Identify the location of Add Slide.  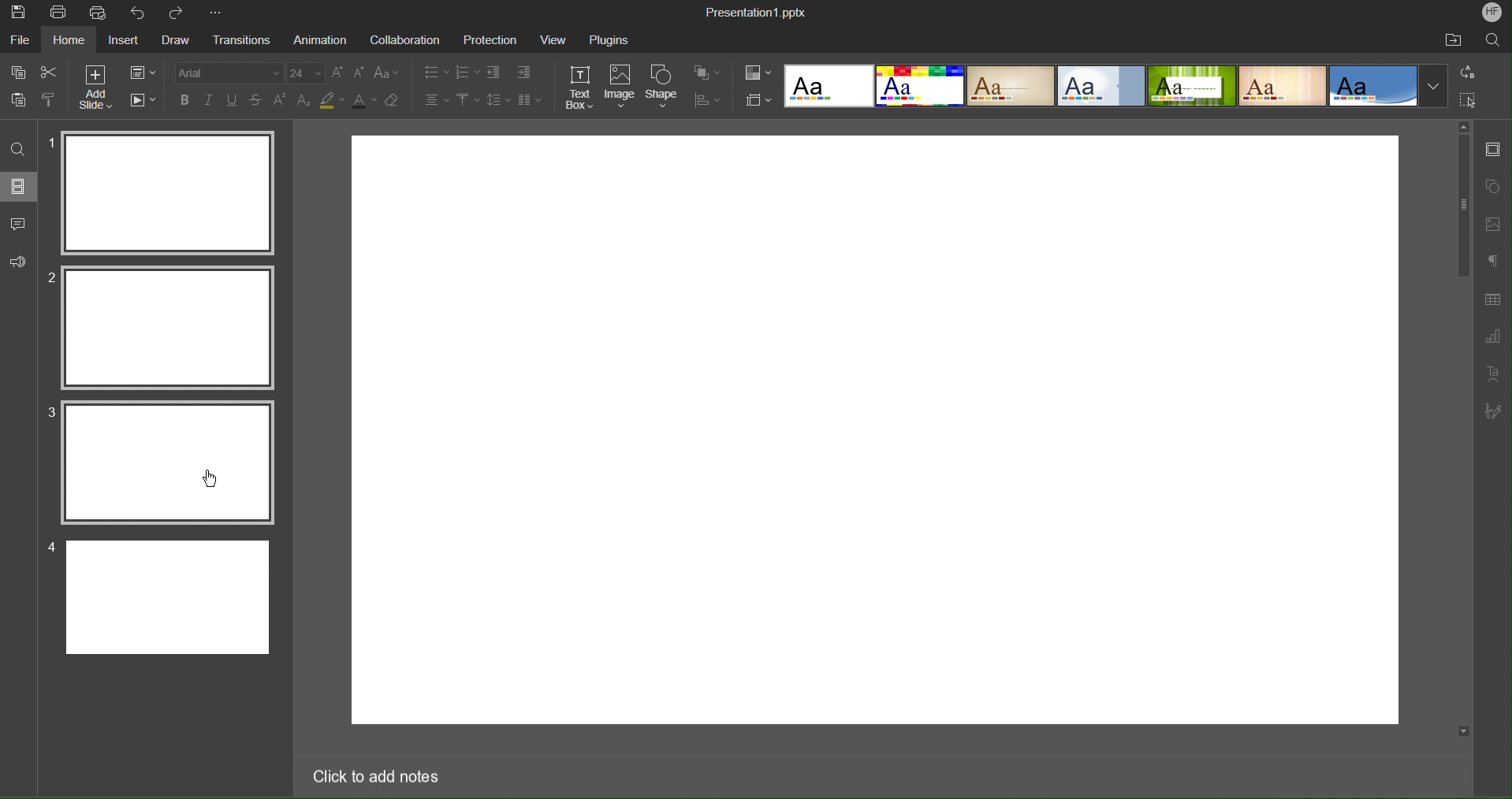
(98, 85).